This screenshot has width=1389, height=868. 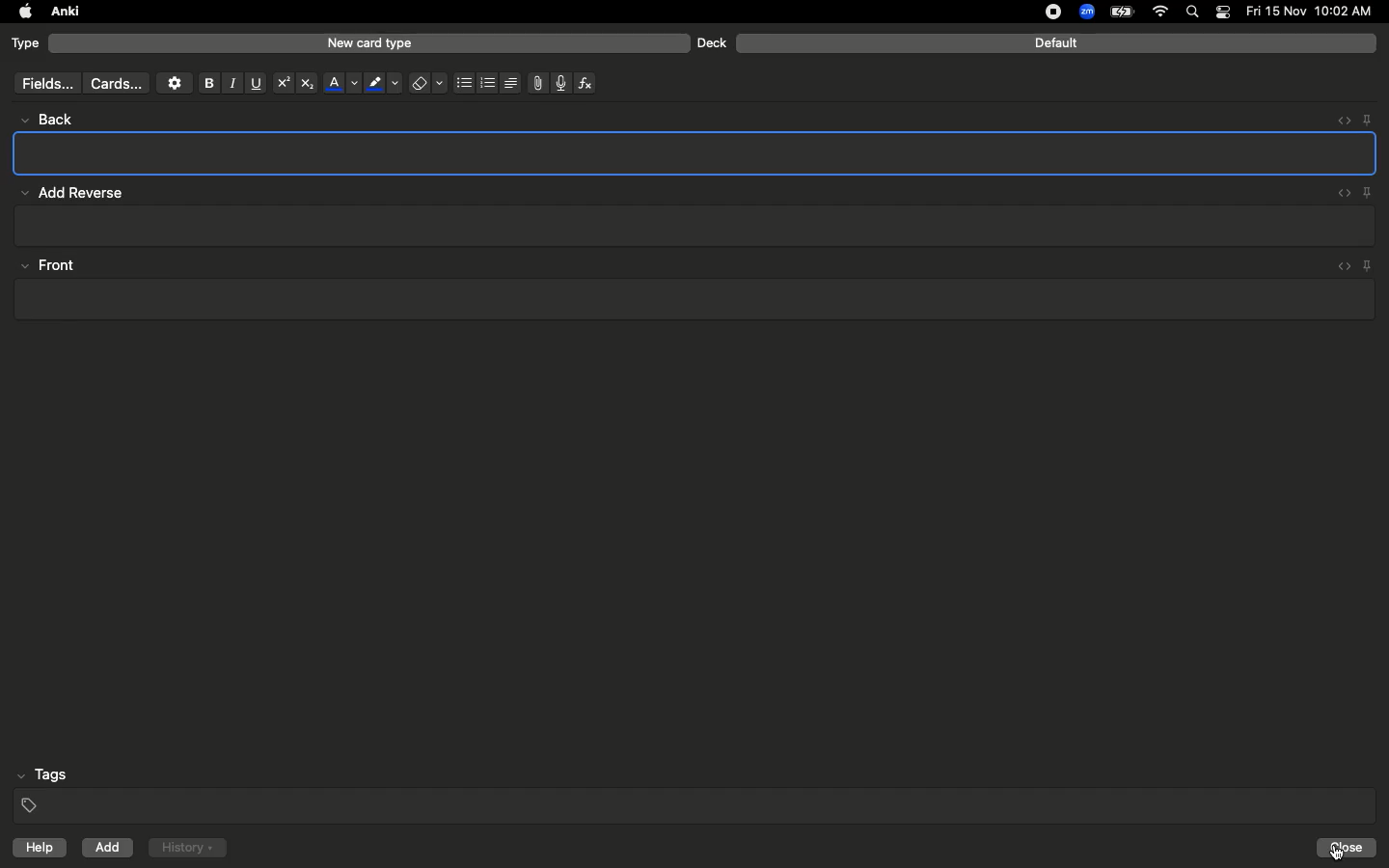 I want to click on Deck, so click(x=711, y=42).